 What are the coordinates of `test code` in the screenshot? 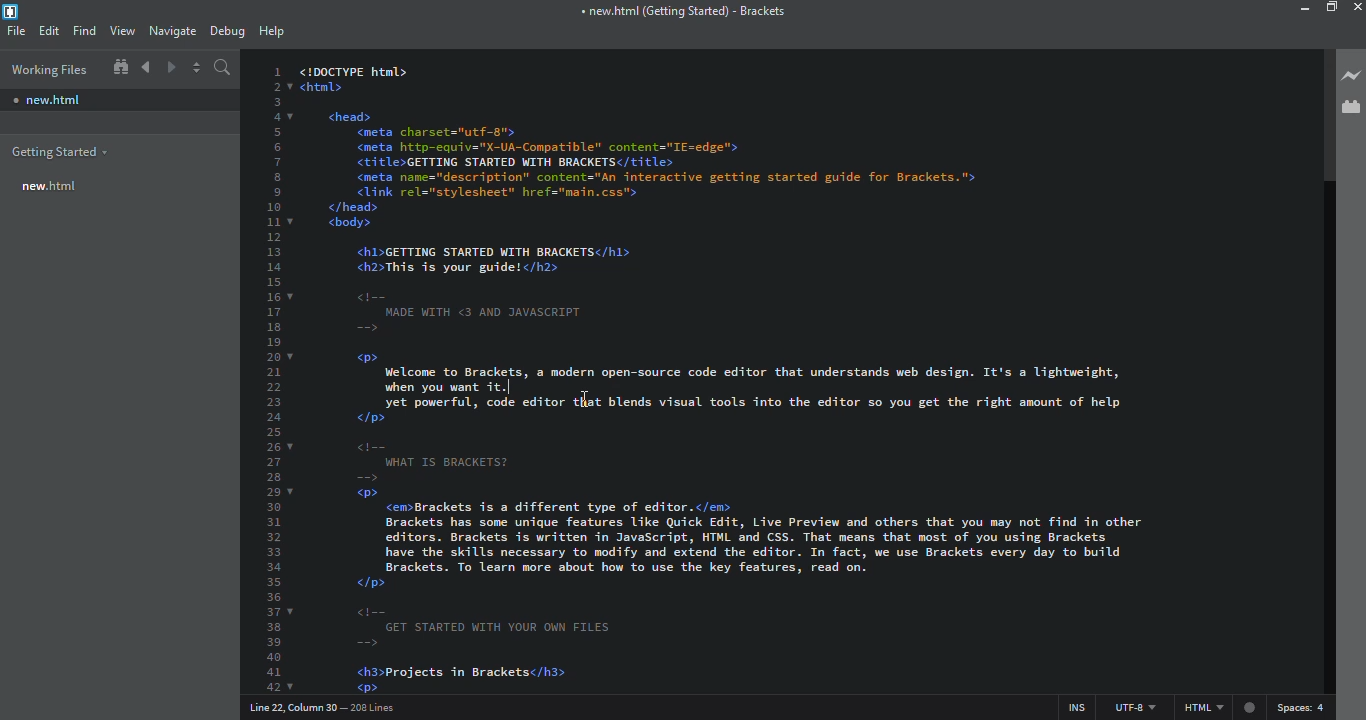 It's located at (754, 568).